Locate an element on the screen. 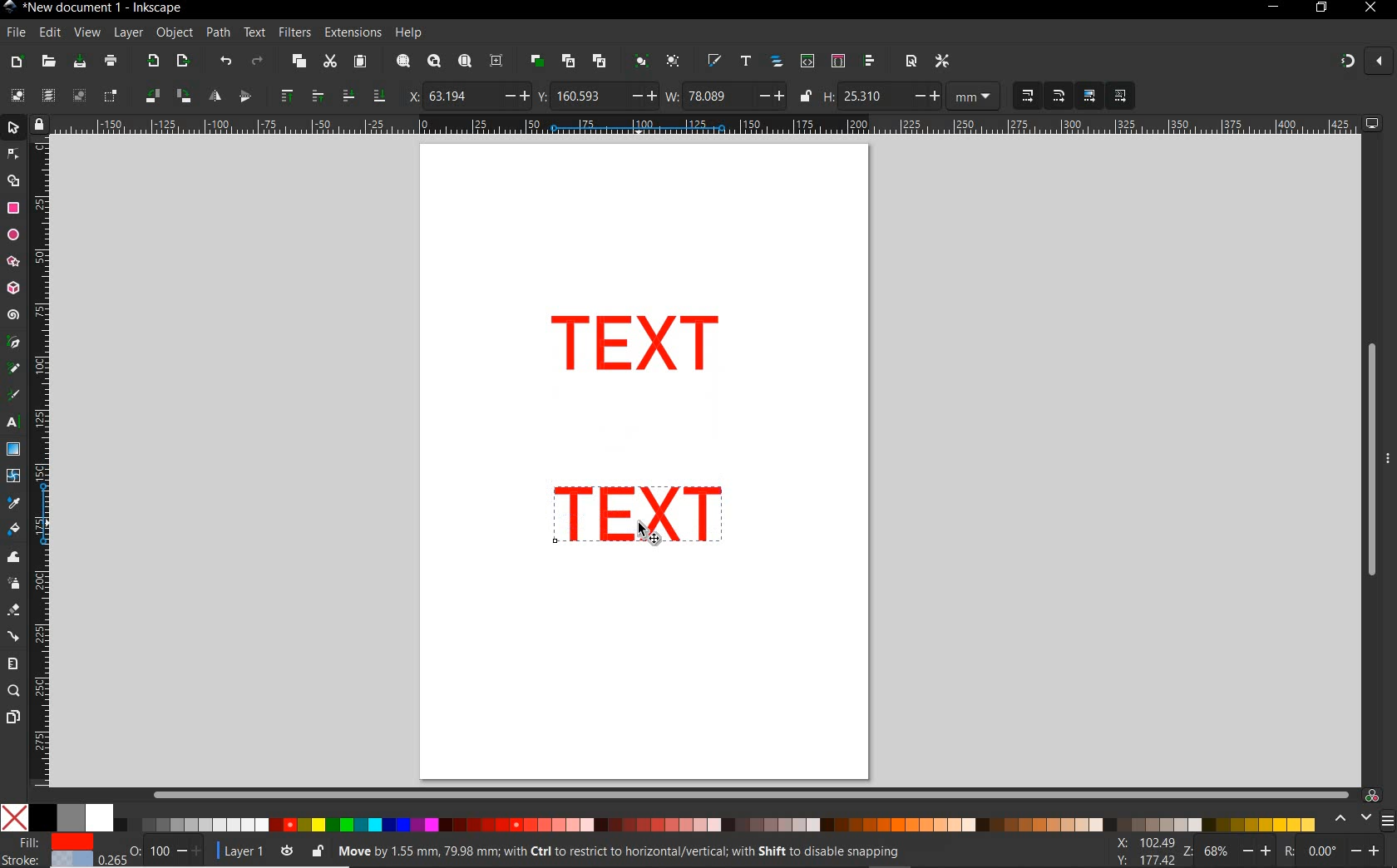  tweak tool is located at coordinates (13, 558).